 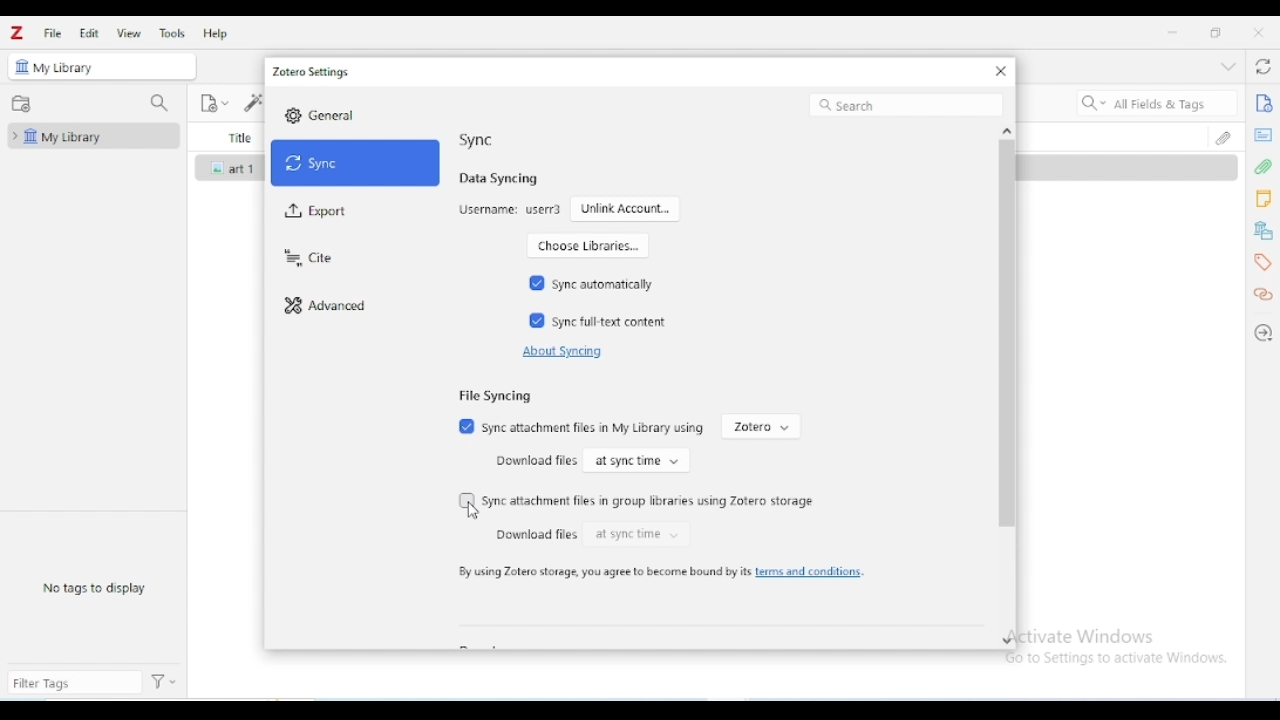 I want to click on info, so click(x=1264, y=102).